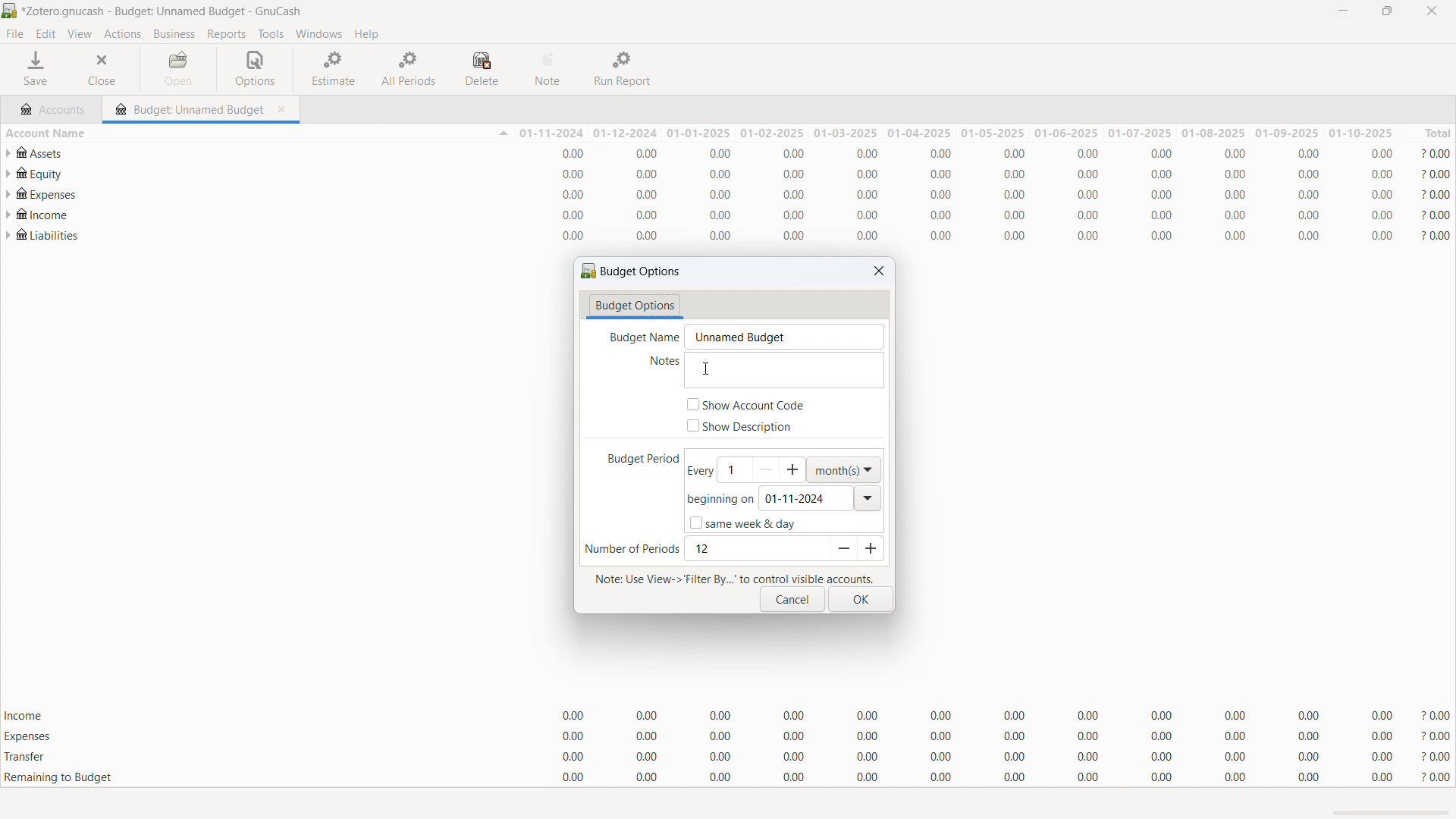  What do you see at coordinates (9, 174) in the screenshot?
I see `expand subaccounts` at bounding box center [9, 174].